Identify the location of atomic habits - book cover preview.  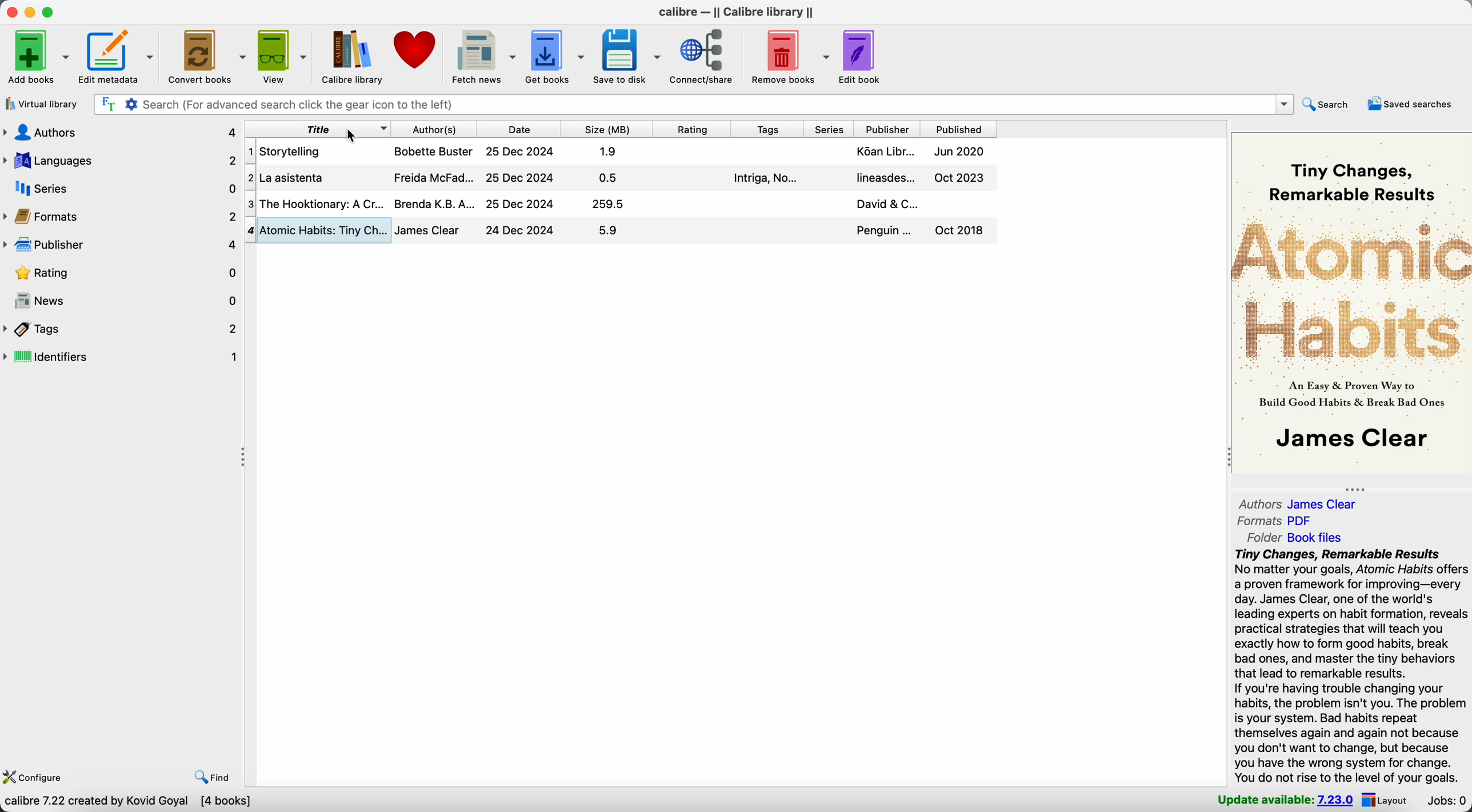
(1351, 305).